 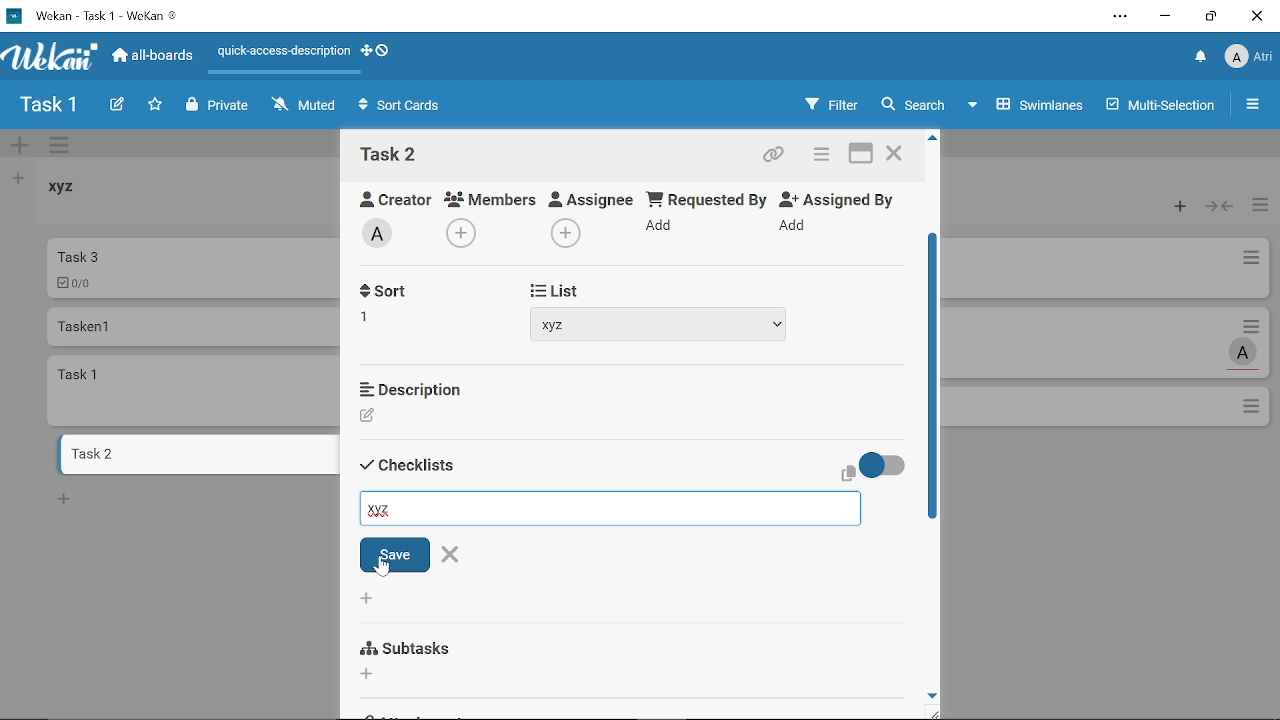 I want to click on Add, so click(x=563, y=233).